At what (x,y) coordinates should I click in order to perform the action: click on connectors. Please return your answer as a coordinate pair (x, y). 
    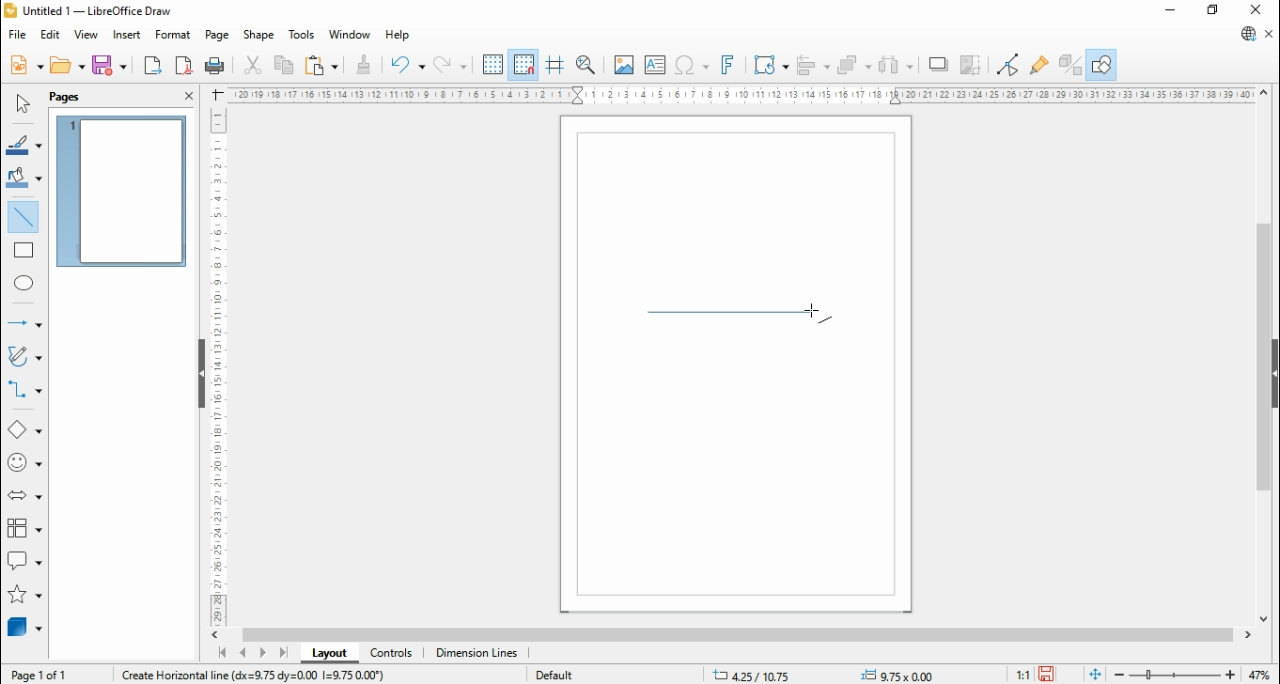
    Looking at the image, I should click on (24, 388).